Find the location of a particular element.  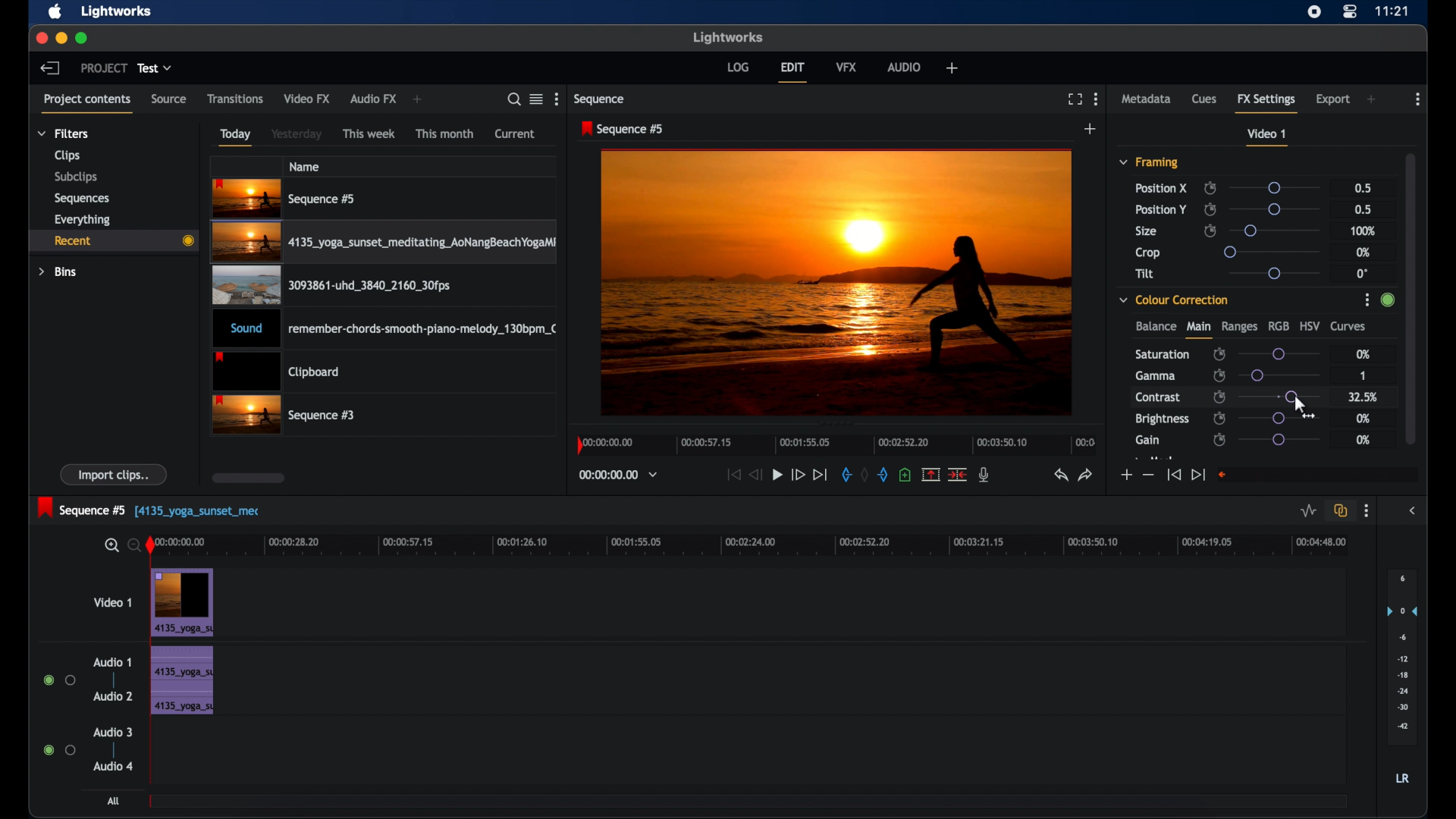

slider is located at coordinates (1272, 273).